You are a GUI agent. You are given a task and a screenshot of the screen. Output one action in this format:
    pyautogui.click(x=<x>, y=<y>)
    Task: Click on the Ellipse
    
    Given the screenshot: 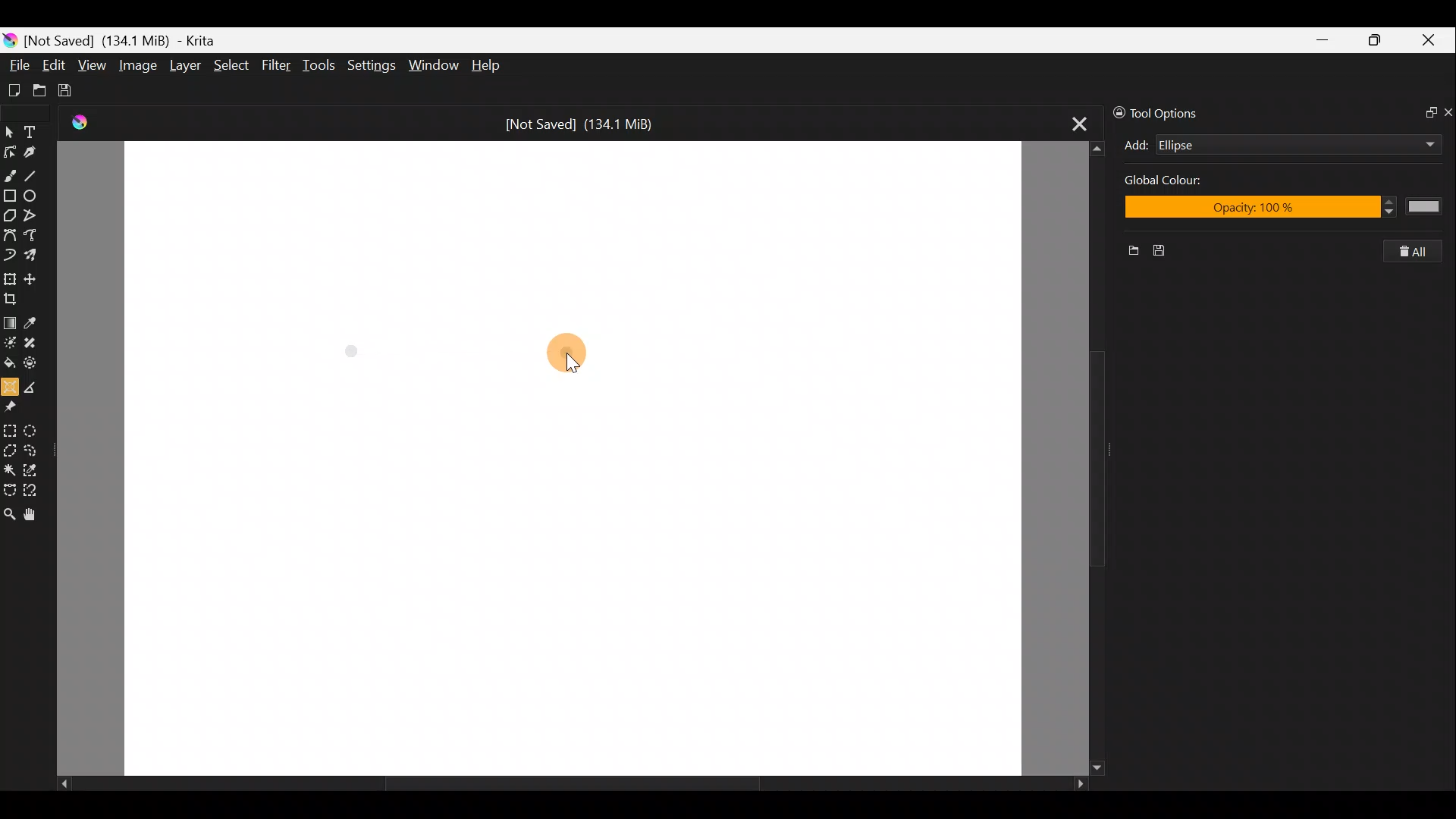 What is the action you would take?
    pyautogui.click(x=36, y=196)
    